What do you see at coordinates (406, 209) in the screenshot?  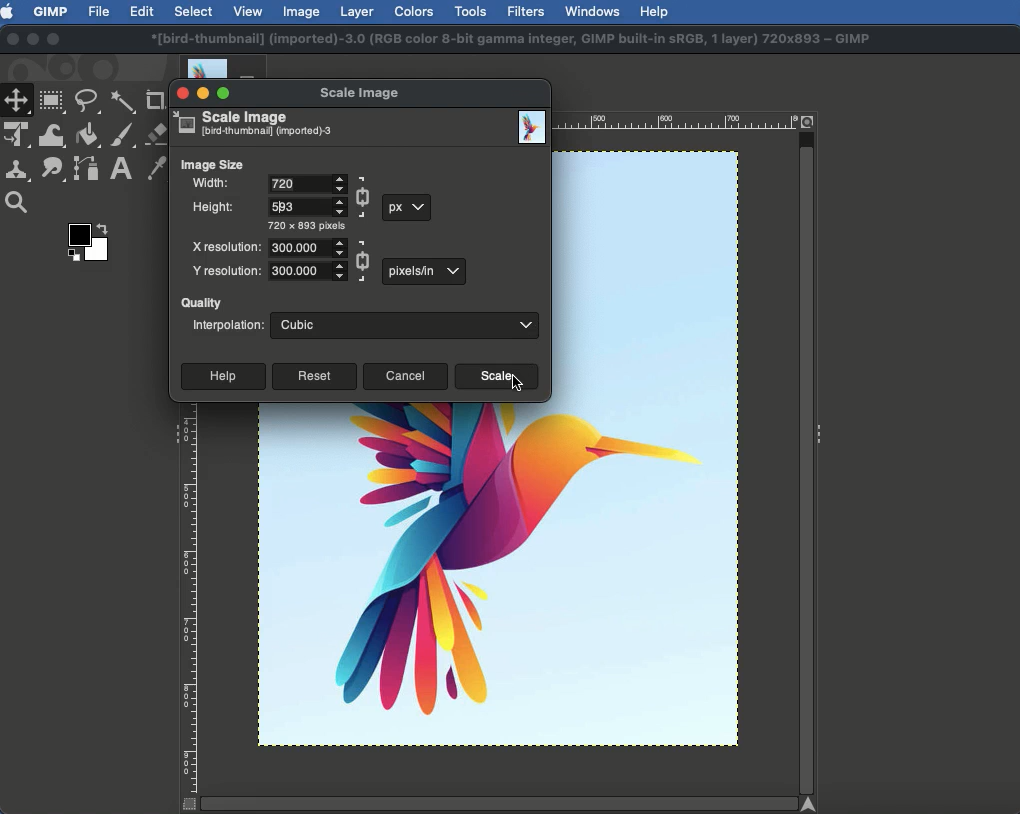 I see `px` at bounding box center [406, 209].